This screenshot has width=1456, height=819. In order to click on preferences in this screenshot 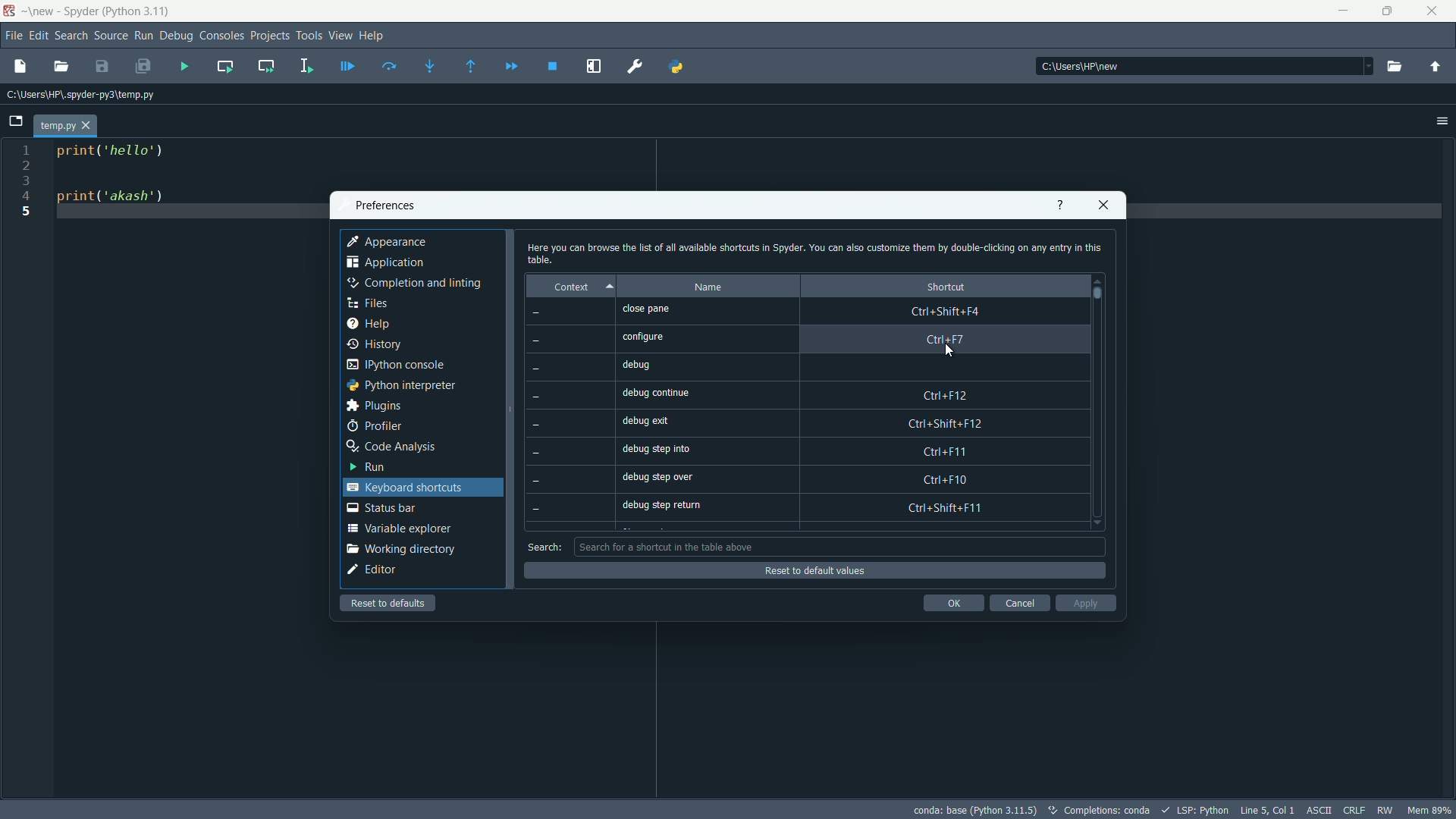, I will do `click(384, 206)`.